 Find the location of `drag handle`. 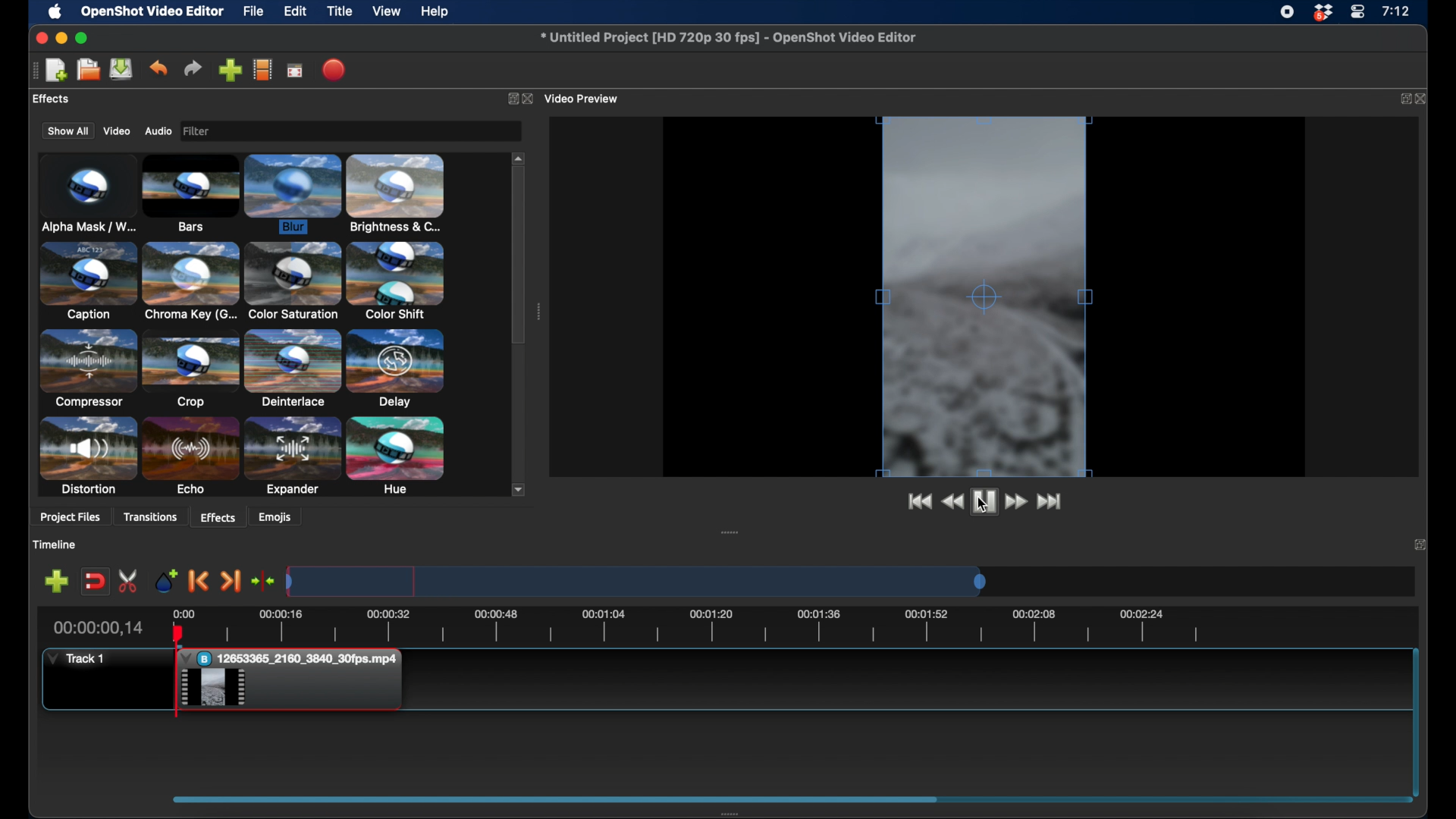

drag handle is located at coordinates (30, 71).